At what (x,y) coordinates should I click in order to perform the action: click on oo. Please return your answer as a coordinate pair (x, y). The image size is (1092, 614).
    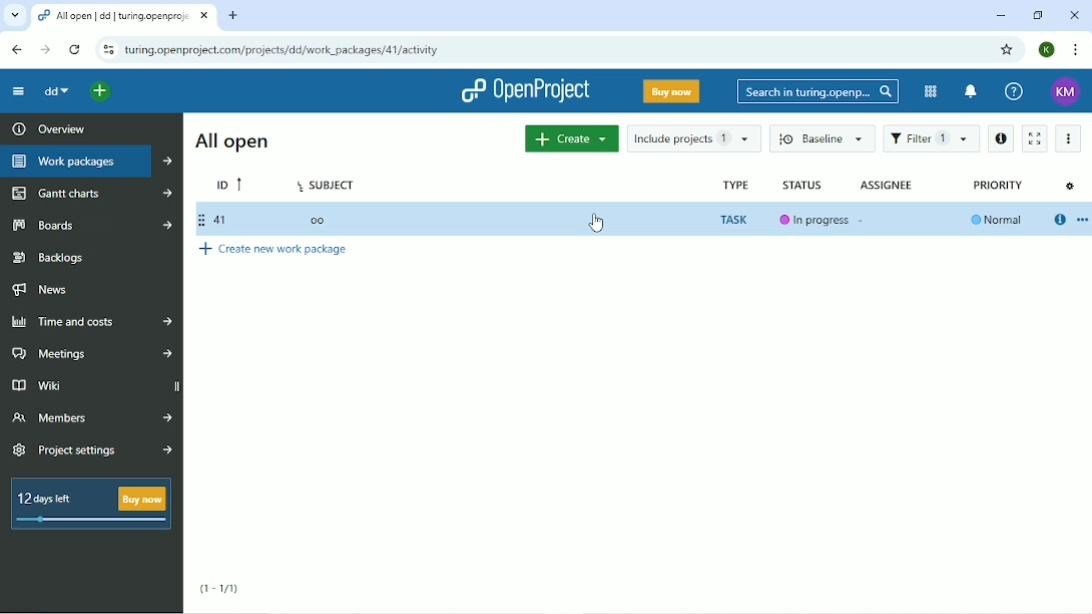
    Looking at the image, I should click on (320, 221).